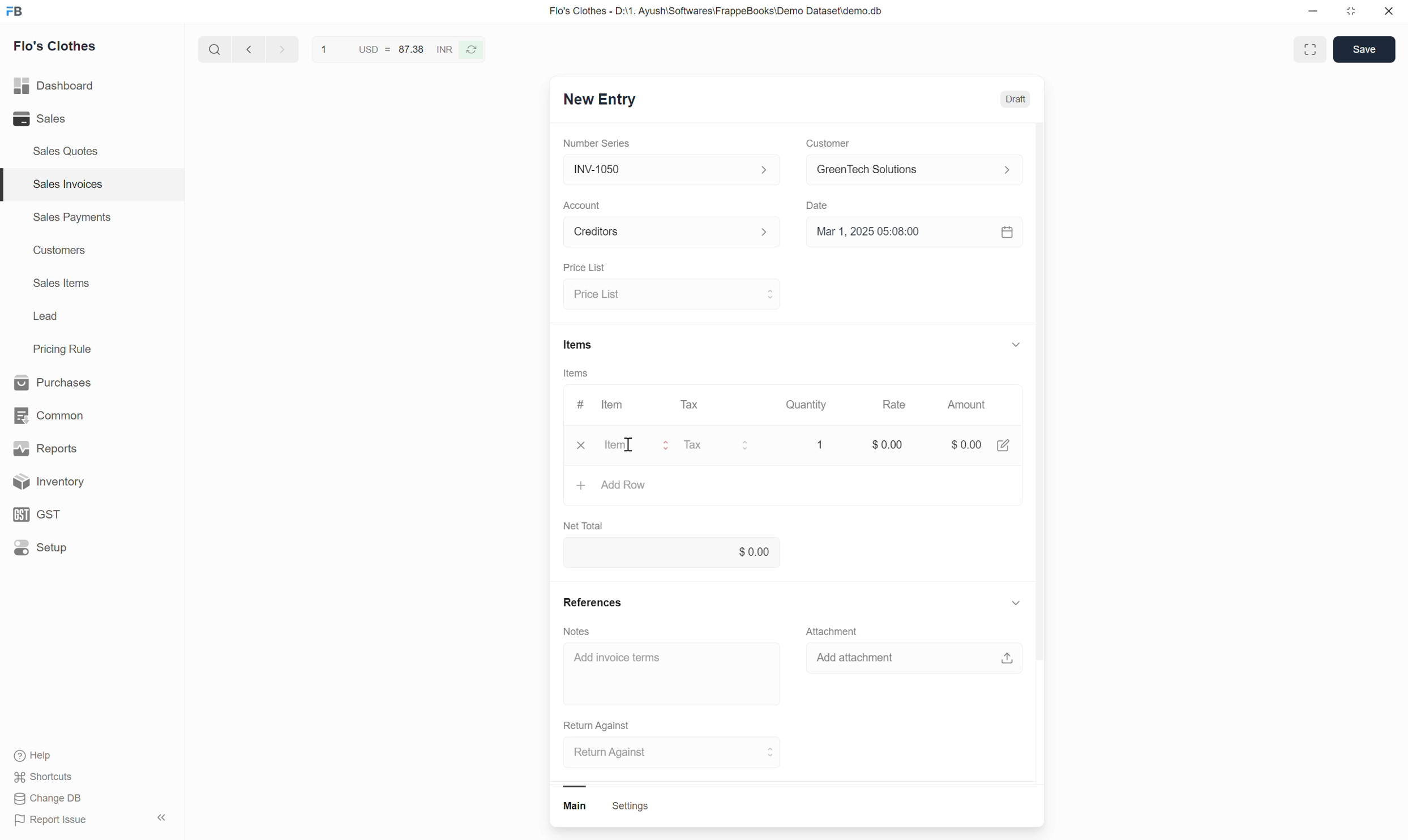 The image size is (1408, 840). I want to click on Items, so click(577, 344).